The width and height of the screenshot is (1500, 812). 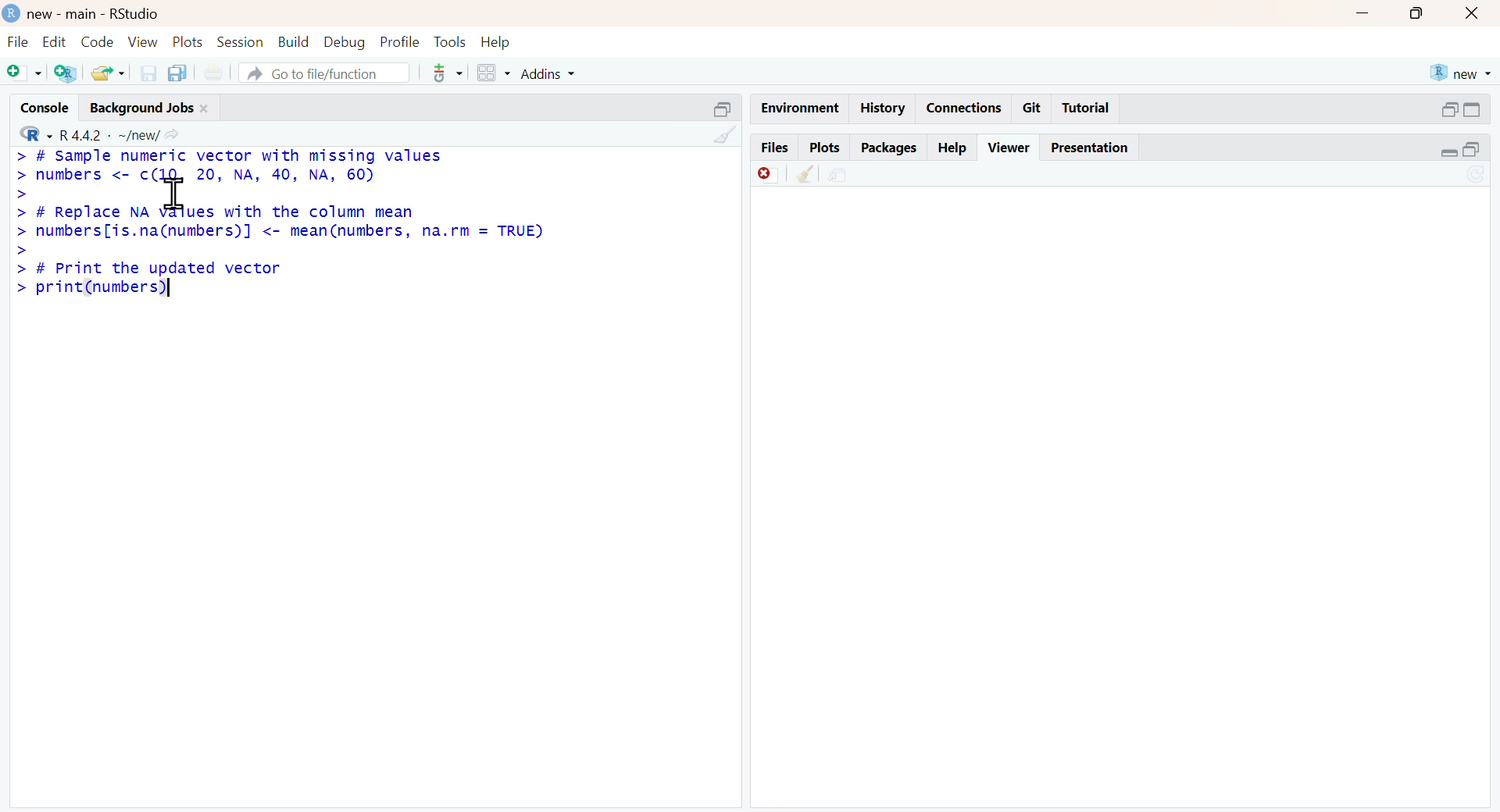 I want to click on enviornment, so click(x=802, y=109).